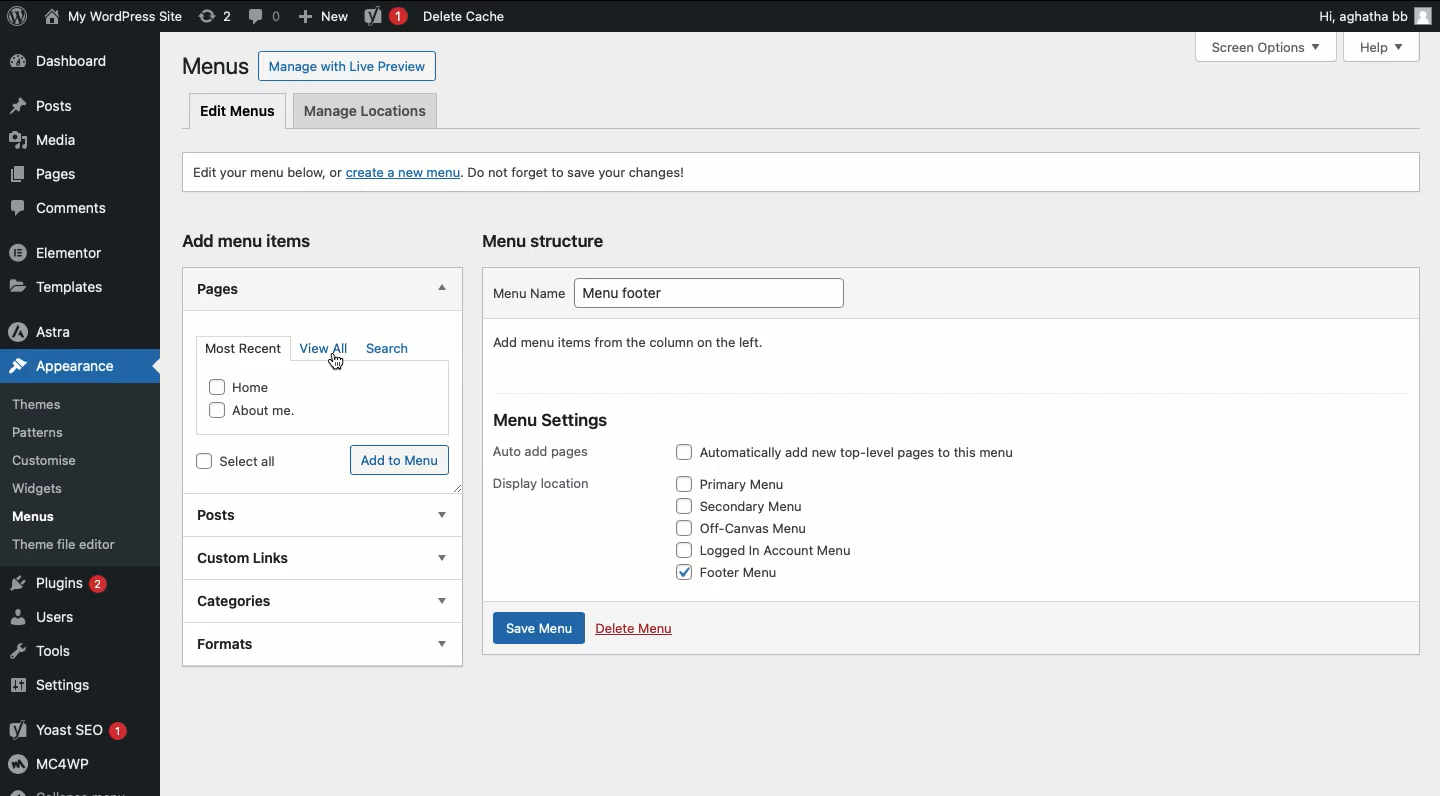 Image resolution: width=1440 pixels, height=796 pixels. What do you see at coordinates (679, 453) in the screenshot?
I see `Check box` at bounding box center [679, 453].